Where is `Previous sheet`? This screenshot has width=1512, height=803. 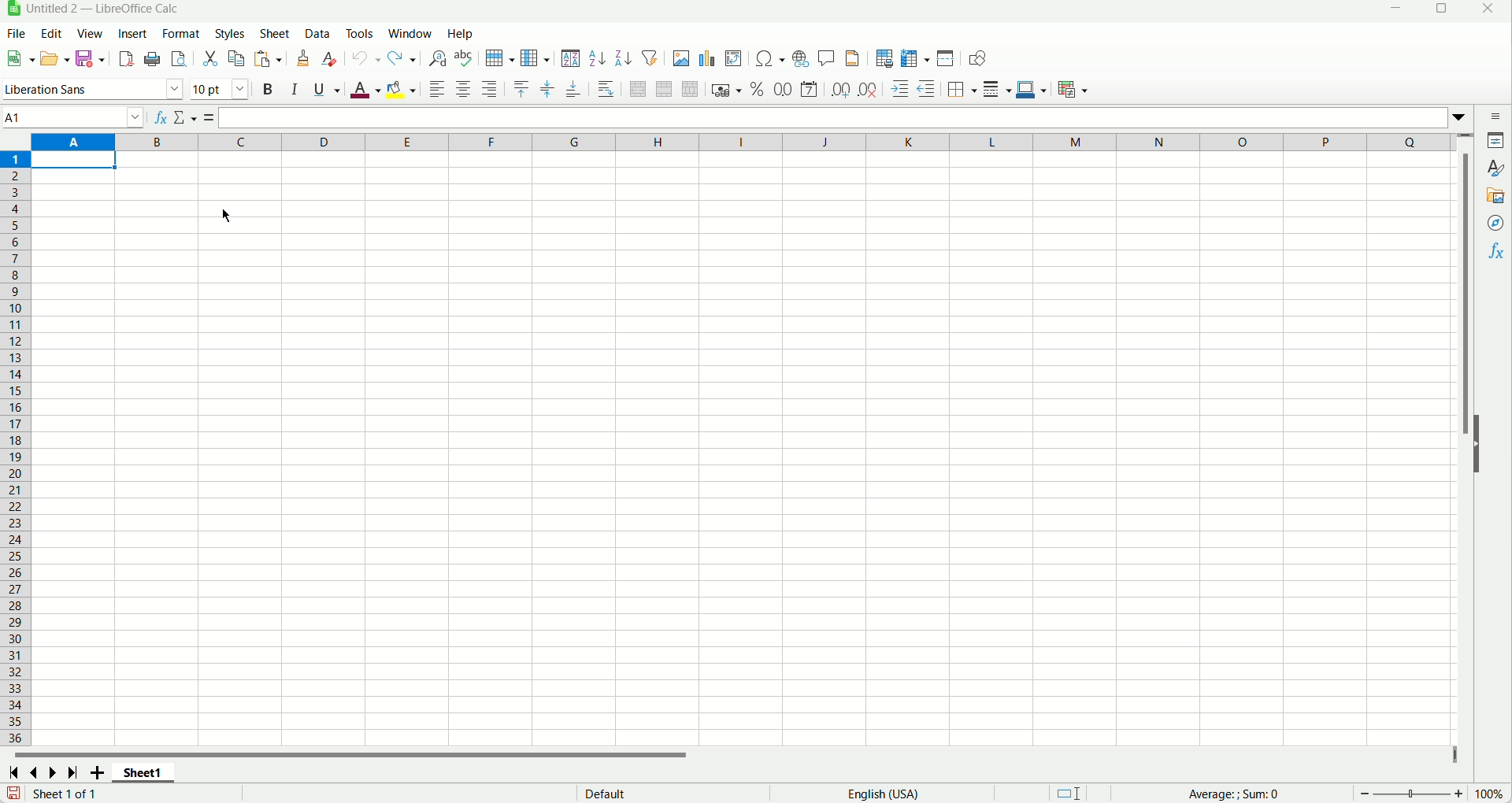 Previous sheet is located at coordinates (36, 772).